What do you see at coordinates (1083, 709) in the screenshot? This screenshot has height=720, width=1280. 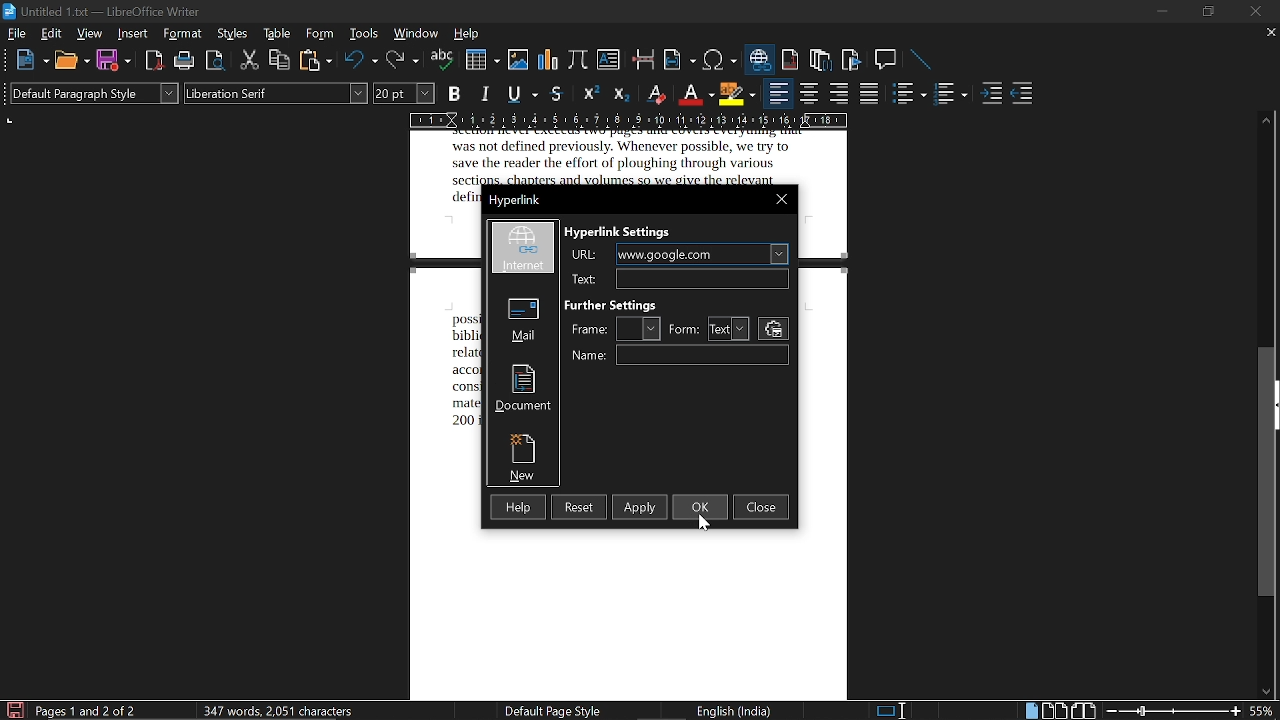 I see `book view` at bounding box center [1083, 709].